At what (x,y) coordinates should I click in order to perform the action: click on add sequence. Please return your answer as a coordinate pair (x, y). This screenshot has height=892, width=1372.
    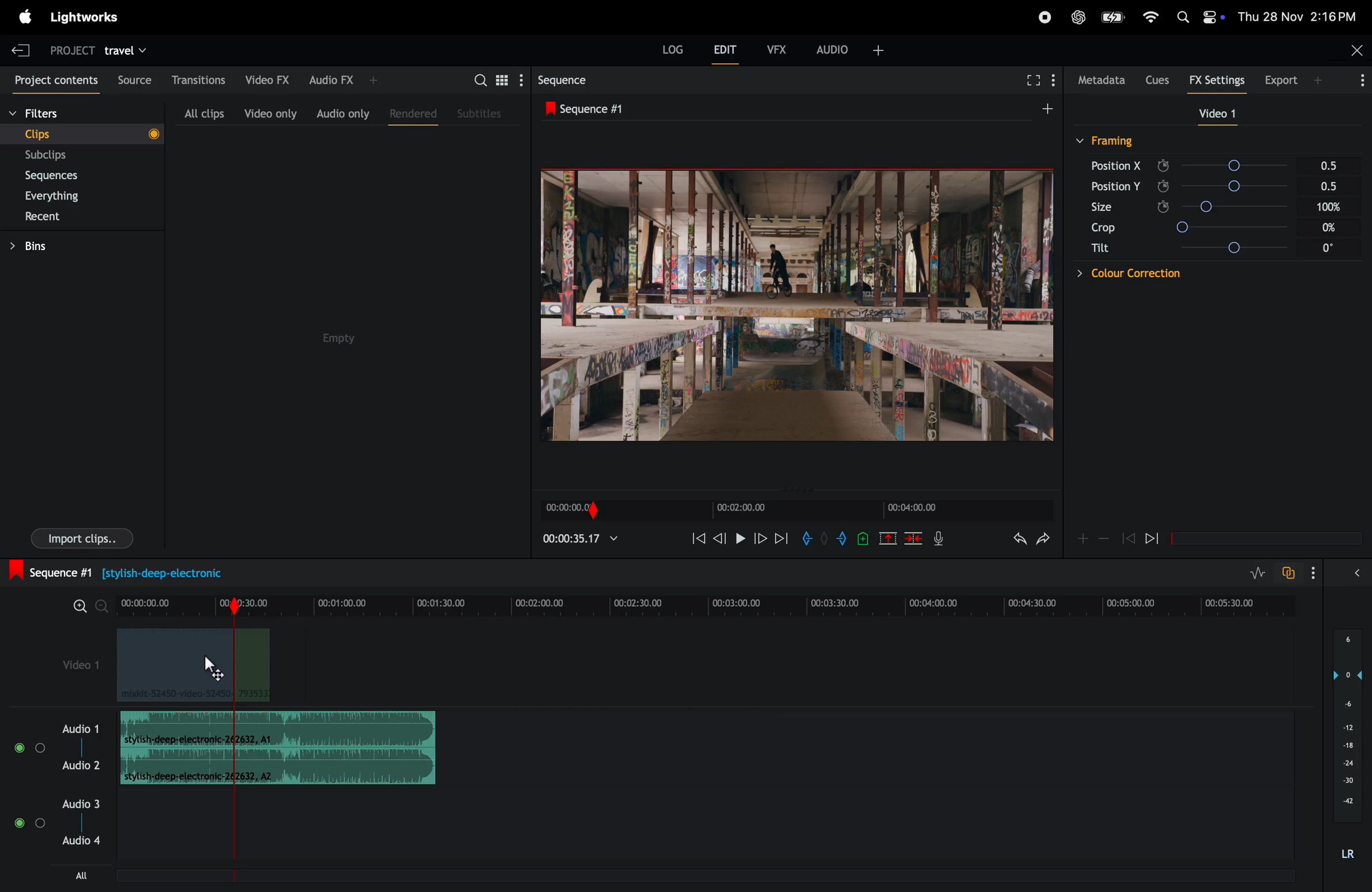
    Looking at the image, I should click on (1046, 107).